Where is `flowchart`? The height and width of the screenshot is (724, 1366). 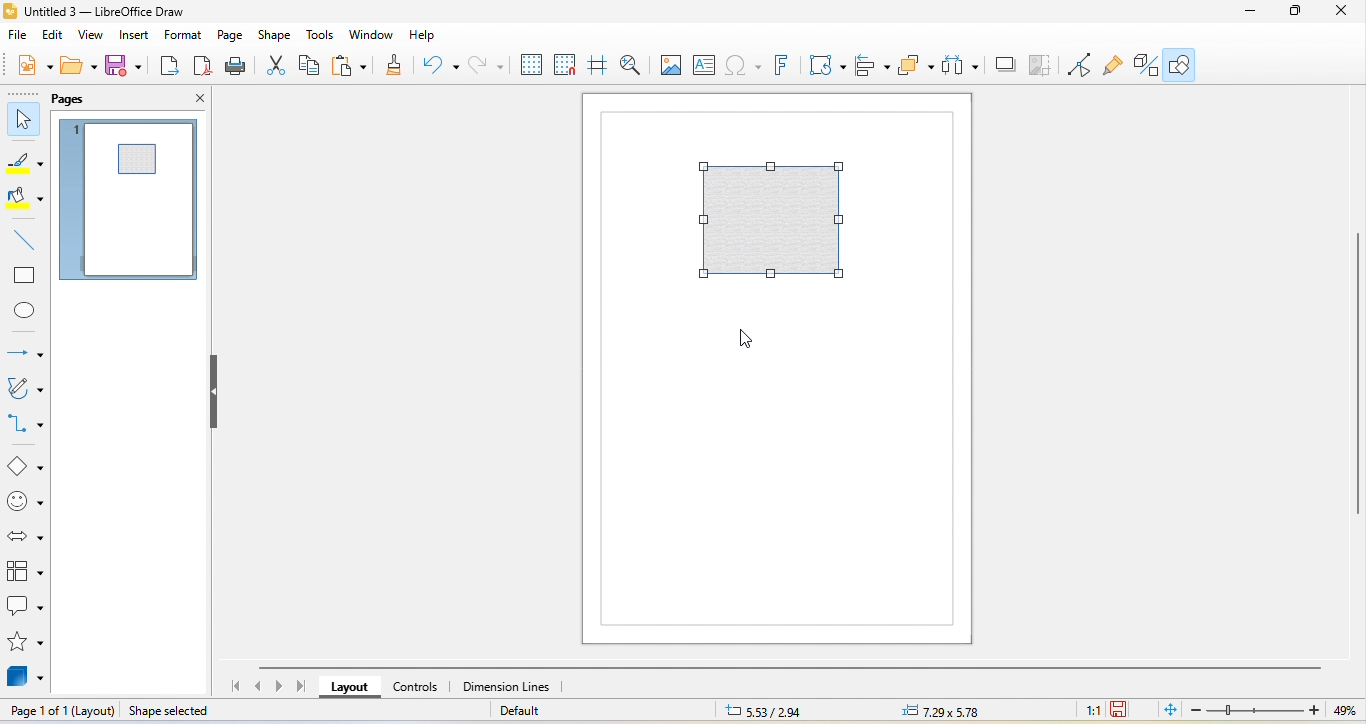
flowchart is located at coordinates (25, 571).